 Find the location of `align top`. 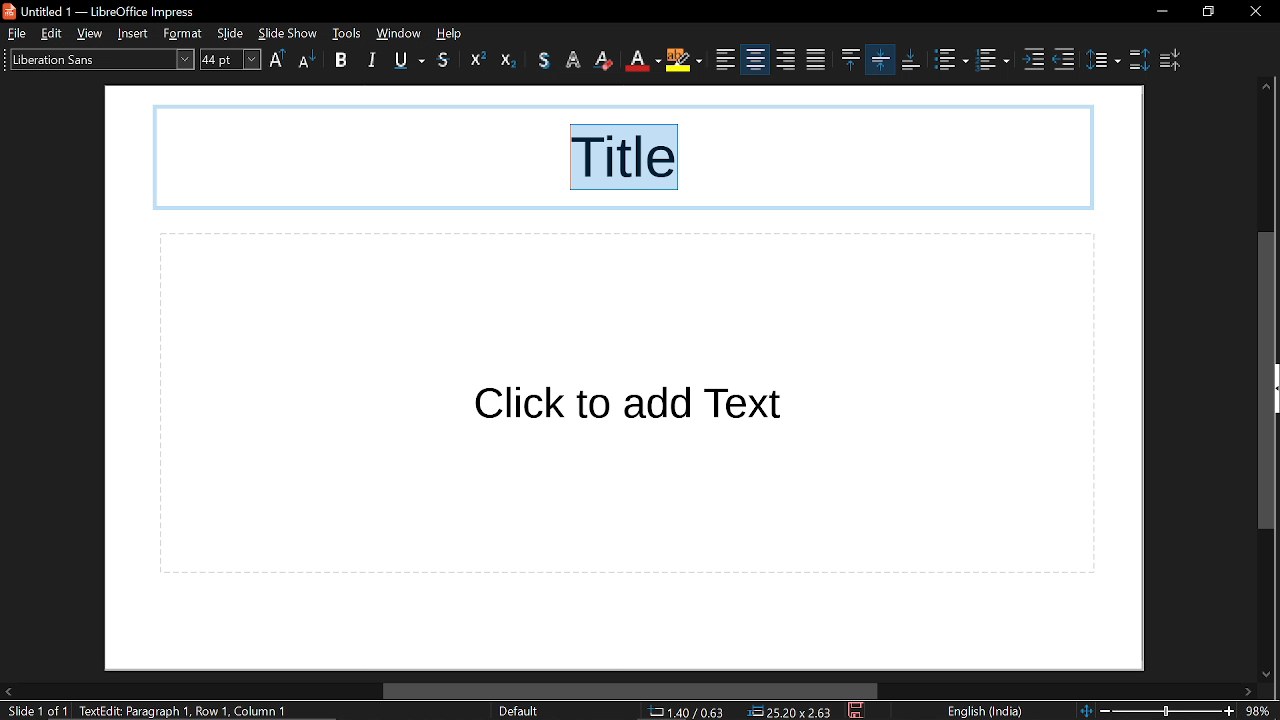

align top is located at coordinates (814, 60).